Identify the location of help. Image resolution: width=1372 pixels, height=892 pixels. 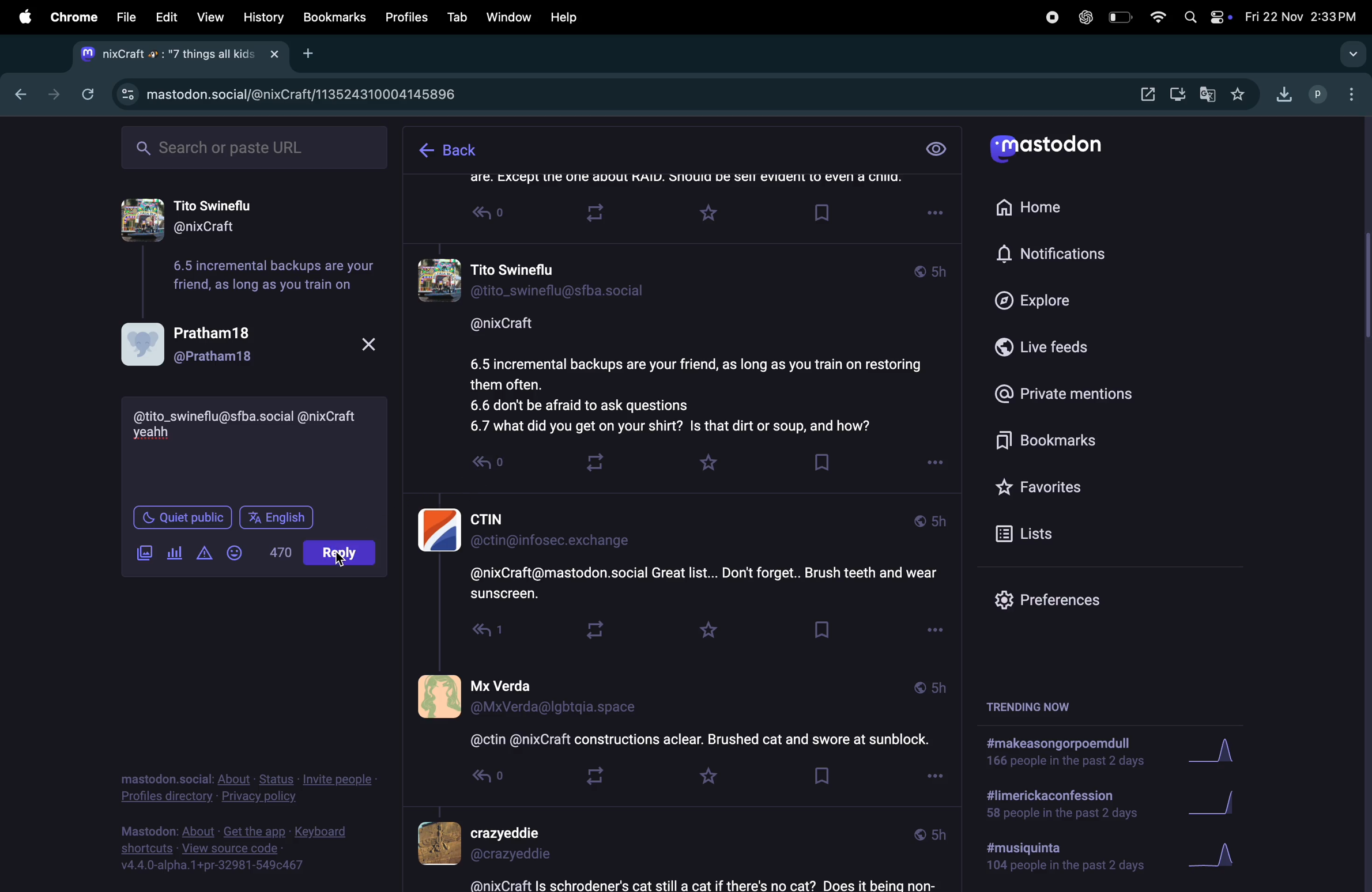
(567, 17).